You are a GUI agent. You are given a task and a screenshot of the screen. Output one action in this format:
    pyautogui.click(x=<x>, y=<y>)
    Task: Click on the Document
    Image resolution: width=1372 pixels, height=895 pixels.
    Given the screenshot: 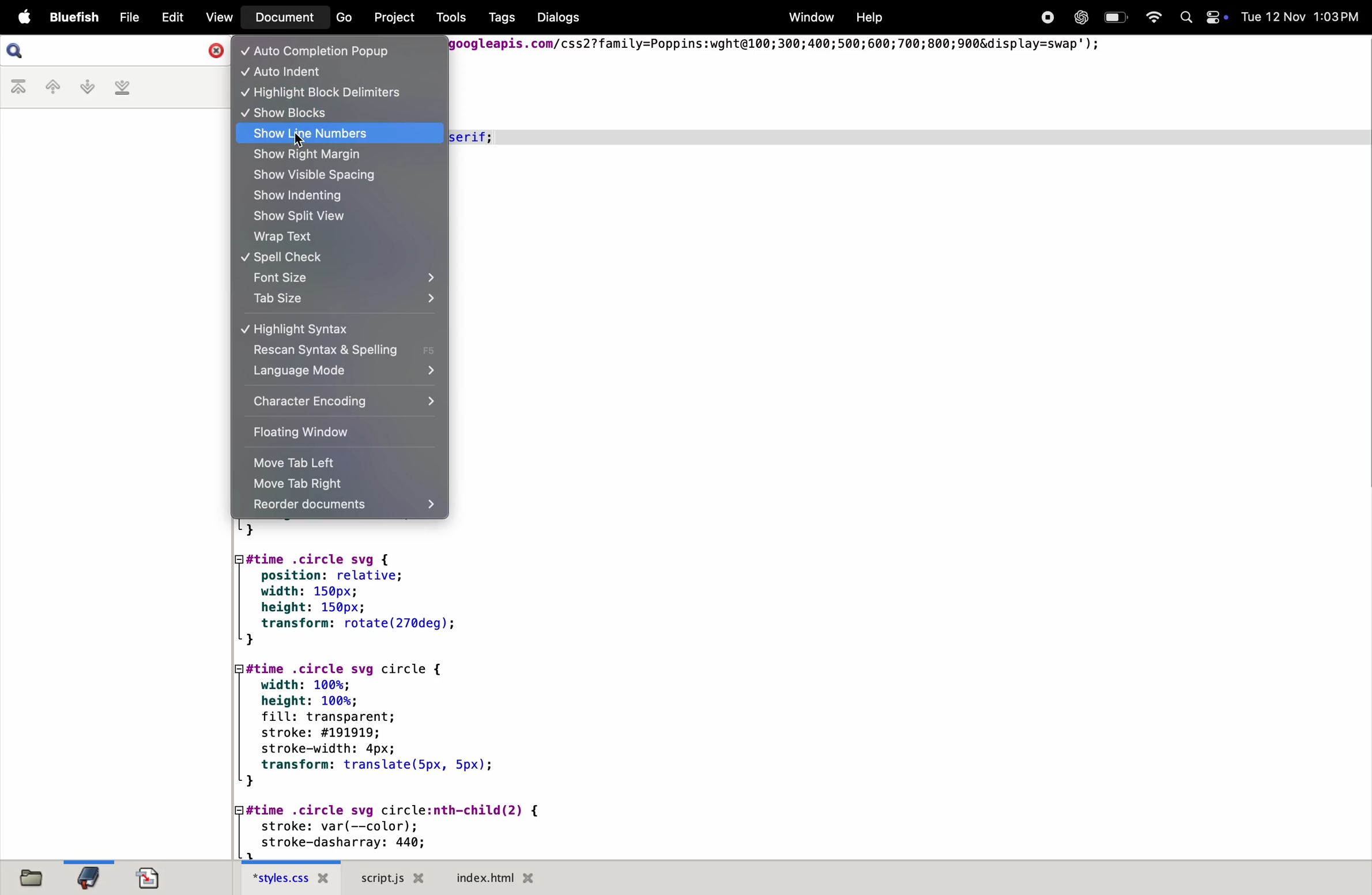 What is the action you would take?
    pyautogui.click(x=279, y=17)
    